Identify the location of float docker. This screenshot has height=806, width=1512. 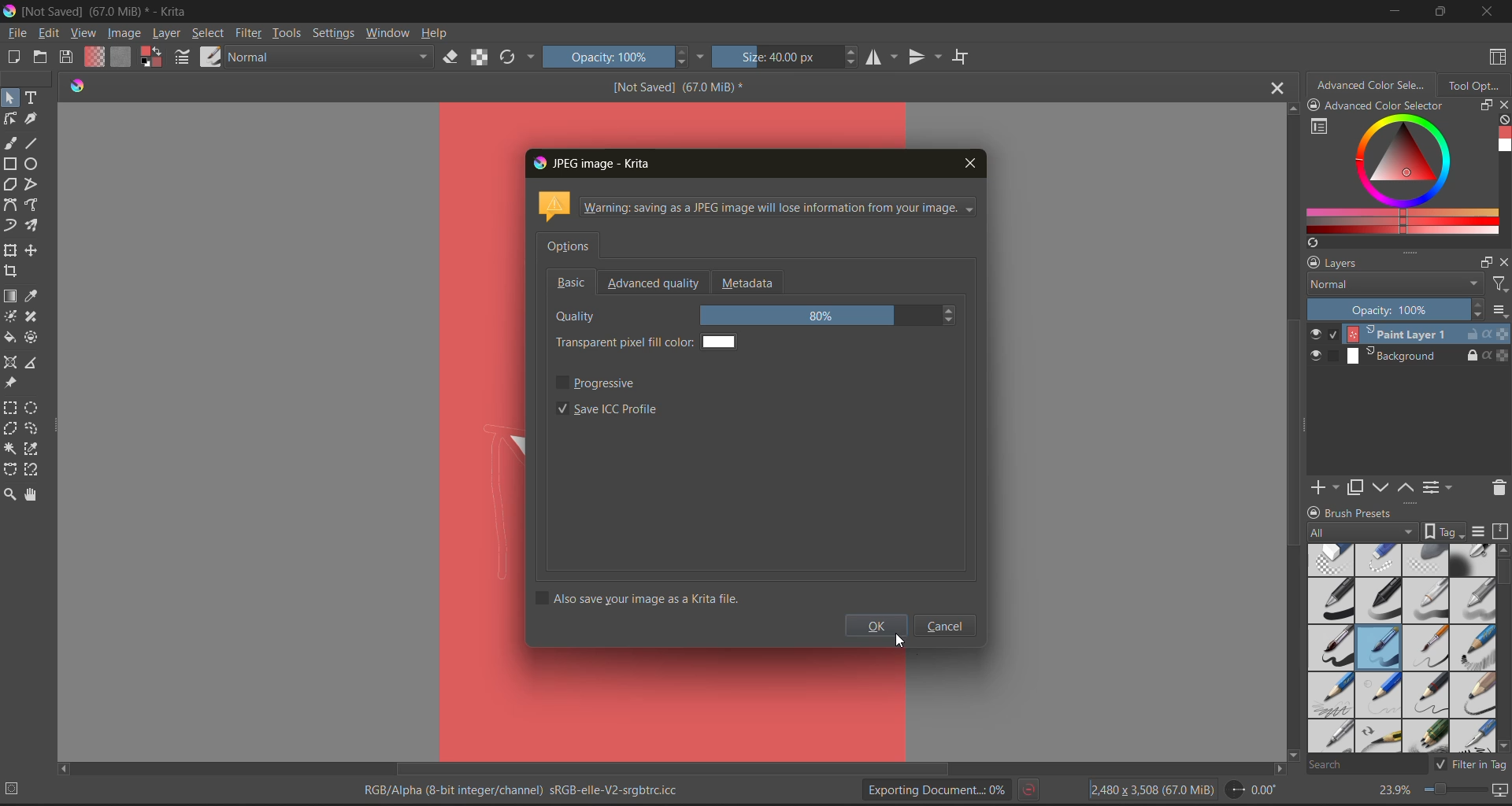
(1486, 106).